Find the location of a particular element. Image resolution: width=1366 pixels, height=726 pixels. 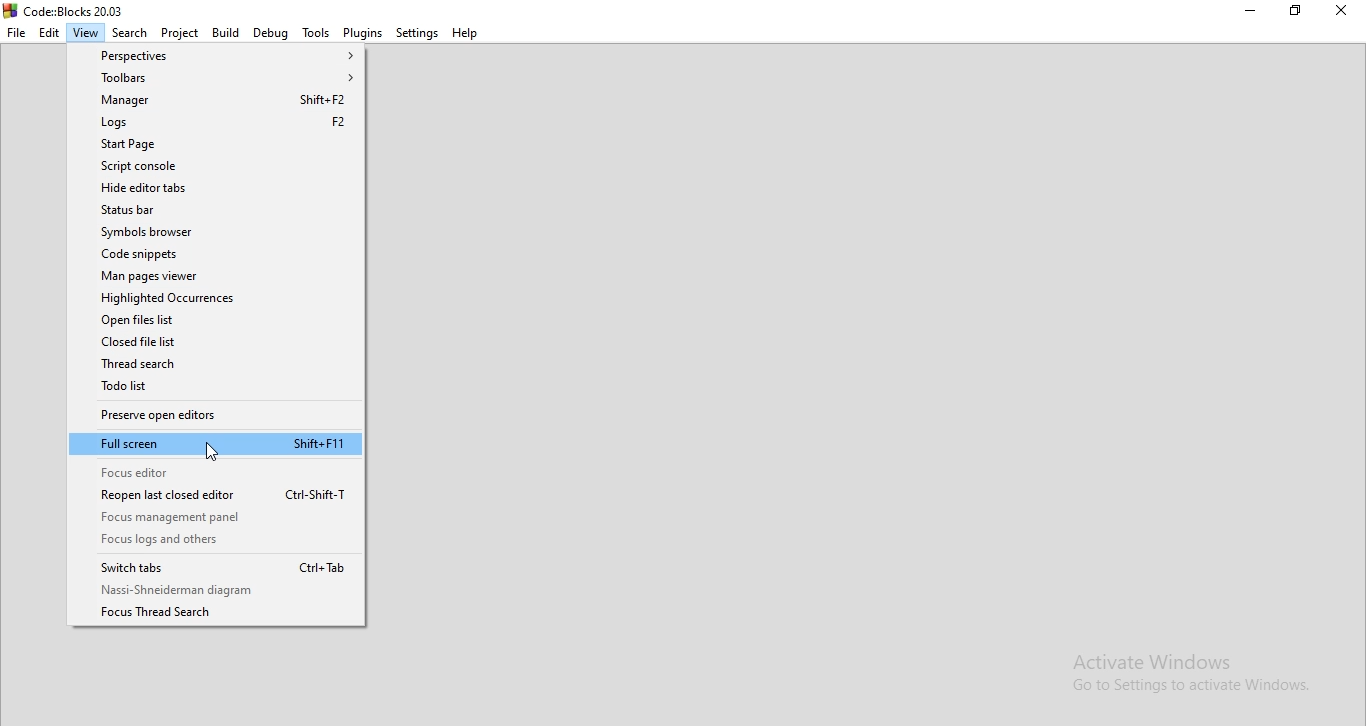

Tools  is located at coordinates (316, 31).